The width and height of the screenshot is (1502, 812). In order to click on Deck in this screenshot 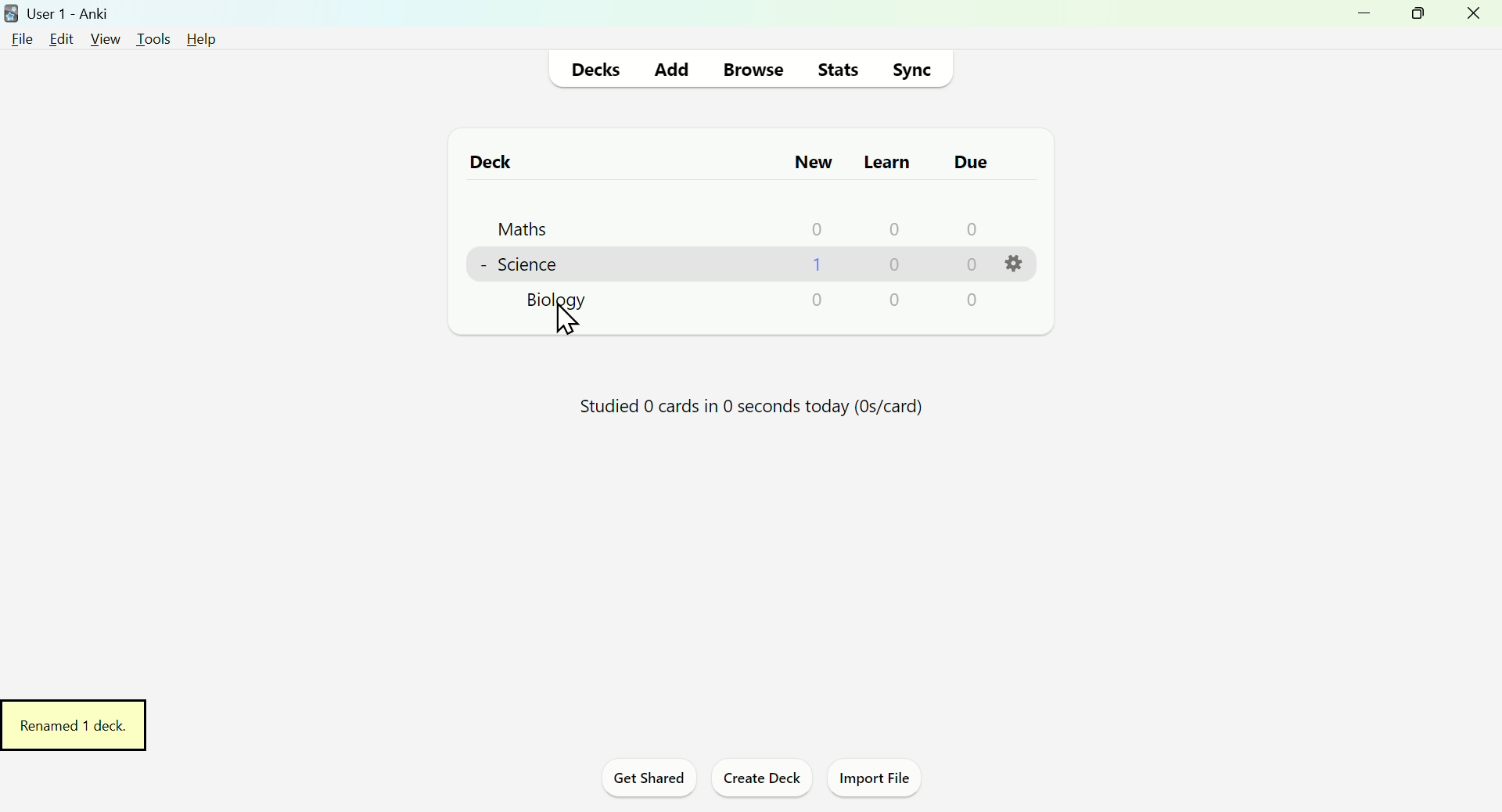, I will do `click(483, 161)`.